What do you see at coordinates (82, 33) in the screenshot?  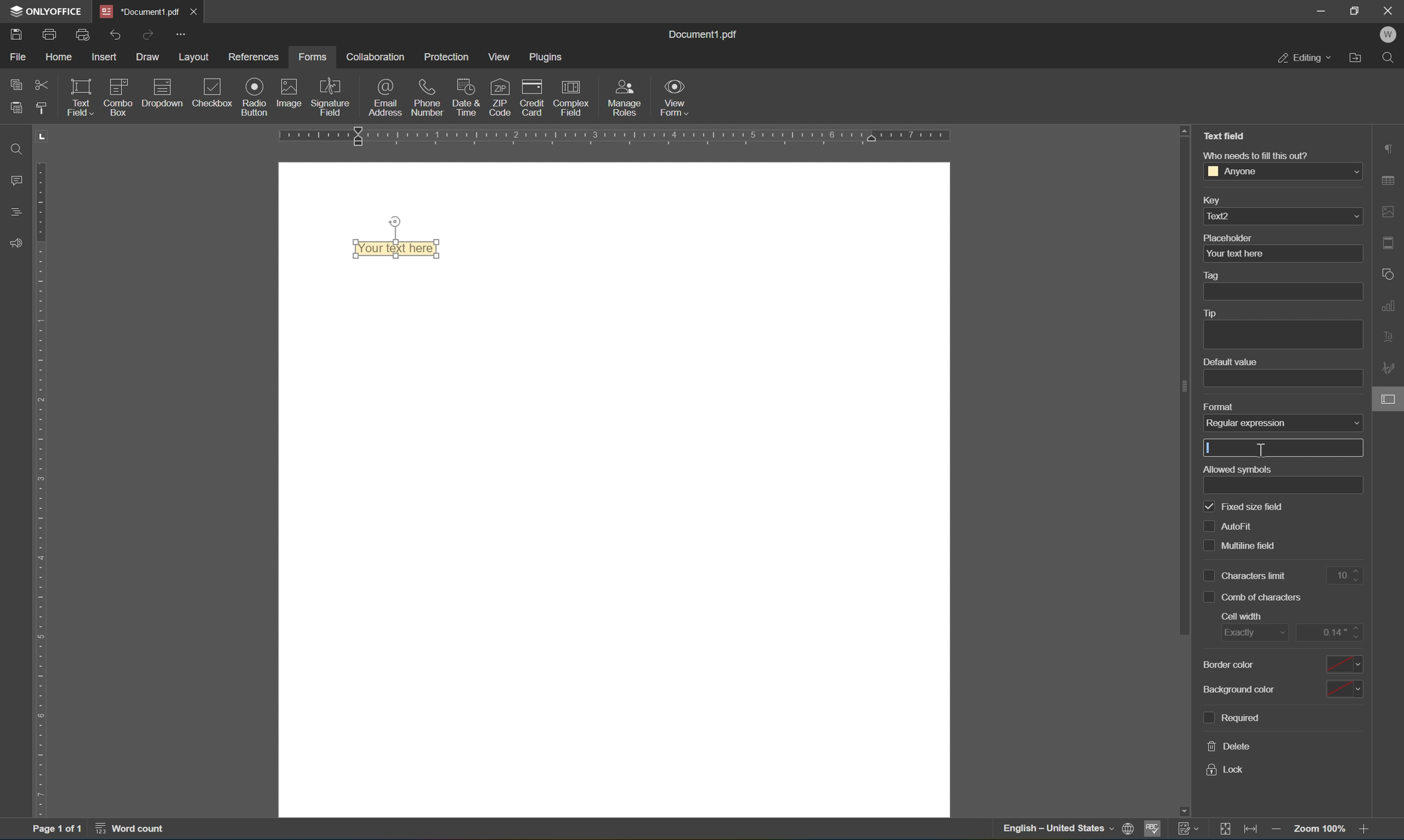 I see `print preview` at bounding box center [82, 33].